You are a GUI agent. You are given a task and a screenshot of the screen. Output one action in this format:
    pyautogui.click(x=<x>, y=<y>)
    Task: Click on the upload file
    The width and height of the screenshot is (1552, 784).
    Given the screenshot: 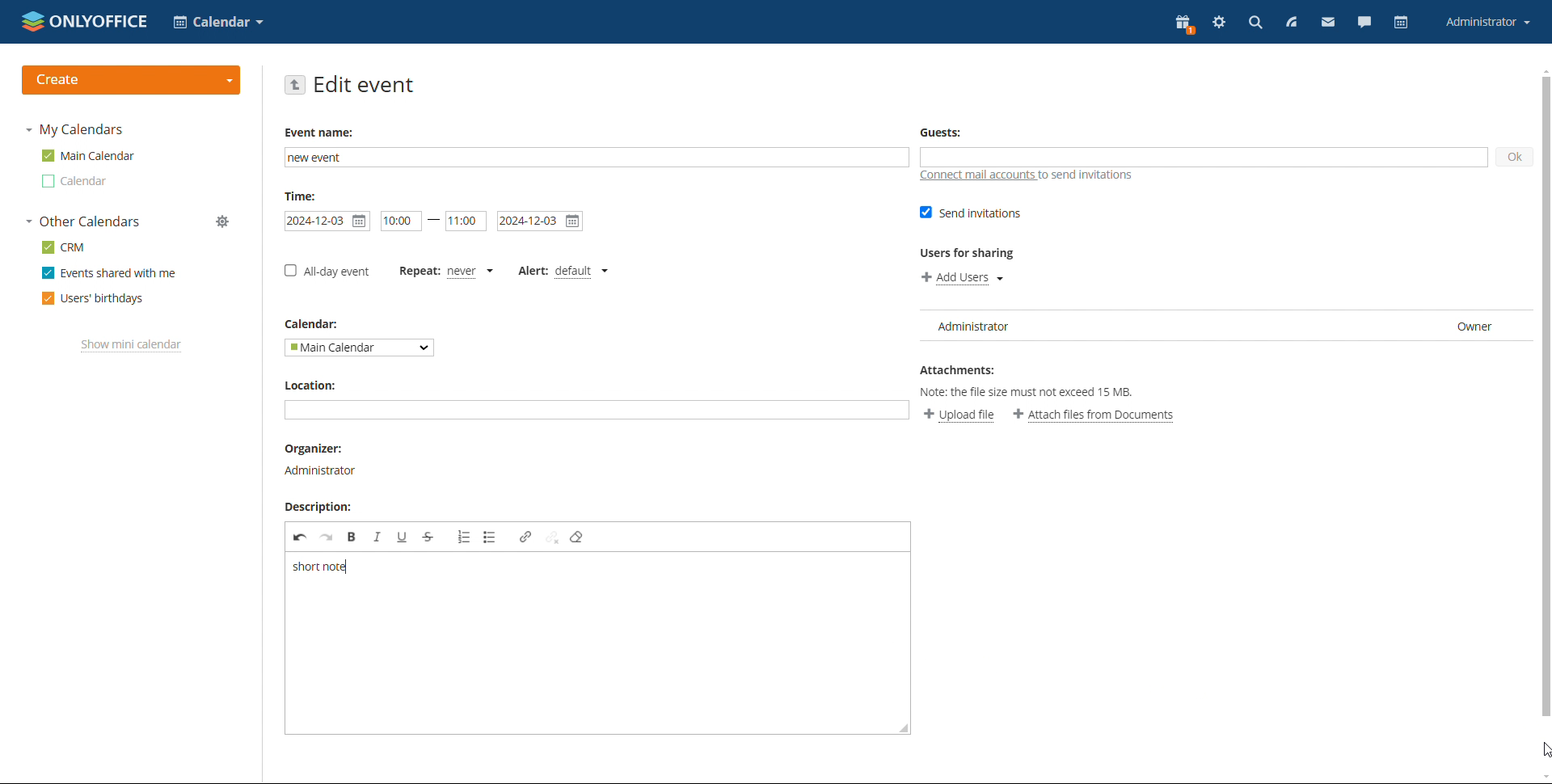 What is the action you would take?
    pyautogui.click(x=959, y=415)
    